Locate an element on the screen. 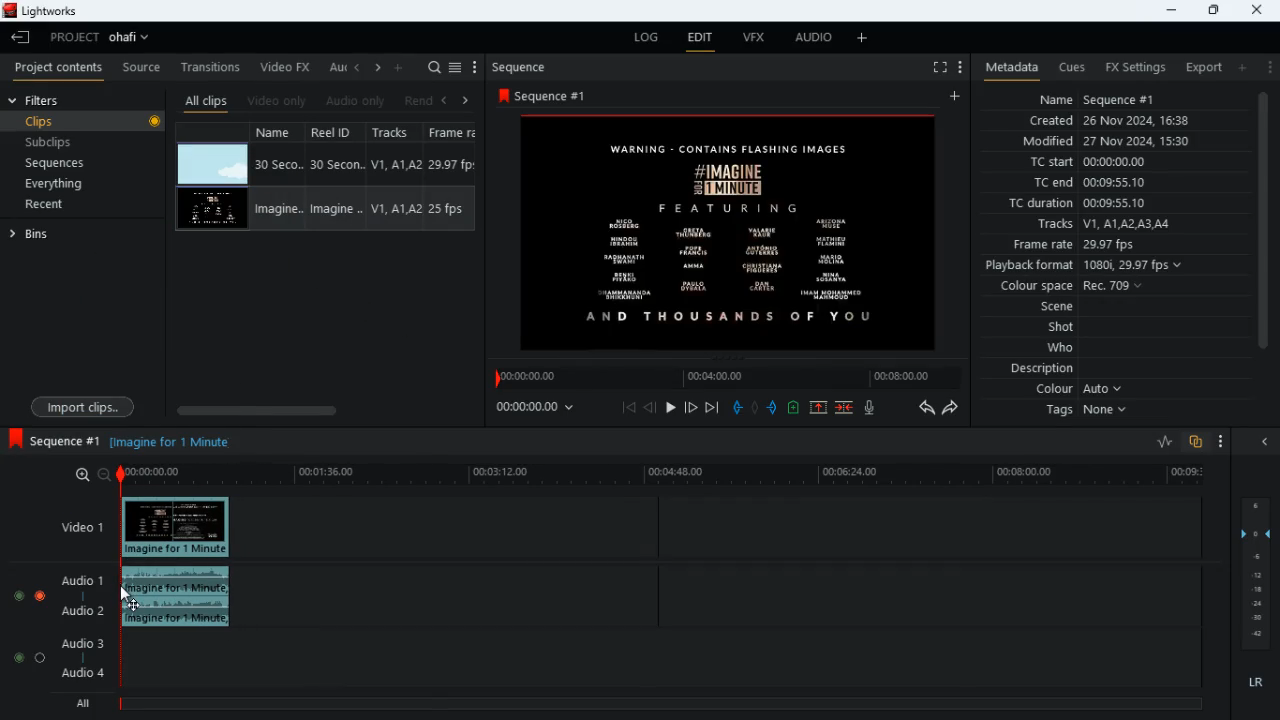  tc start is located at coordinates (1086, 163).